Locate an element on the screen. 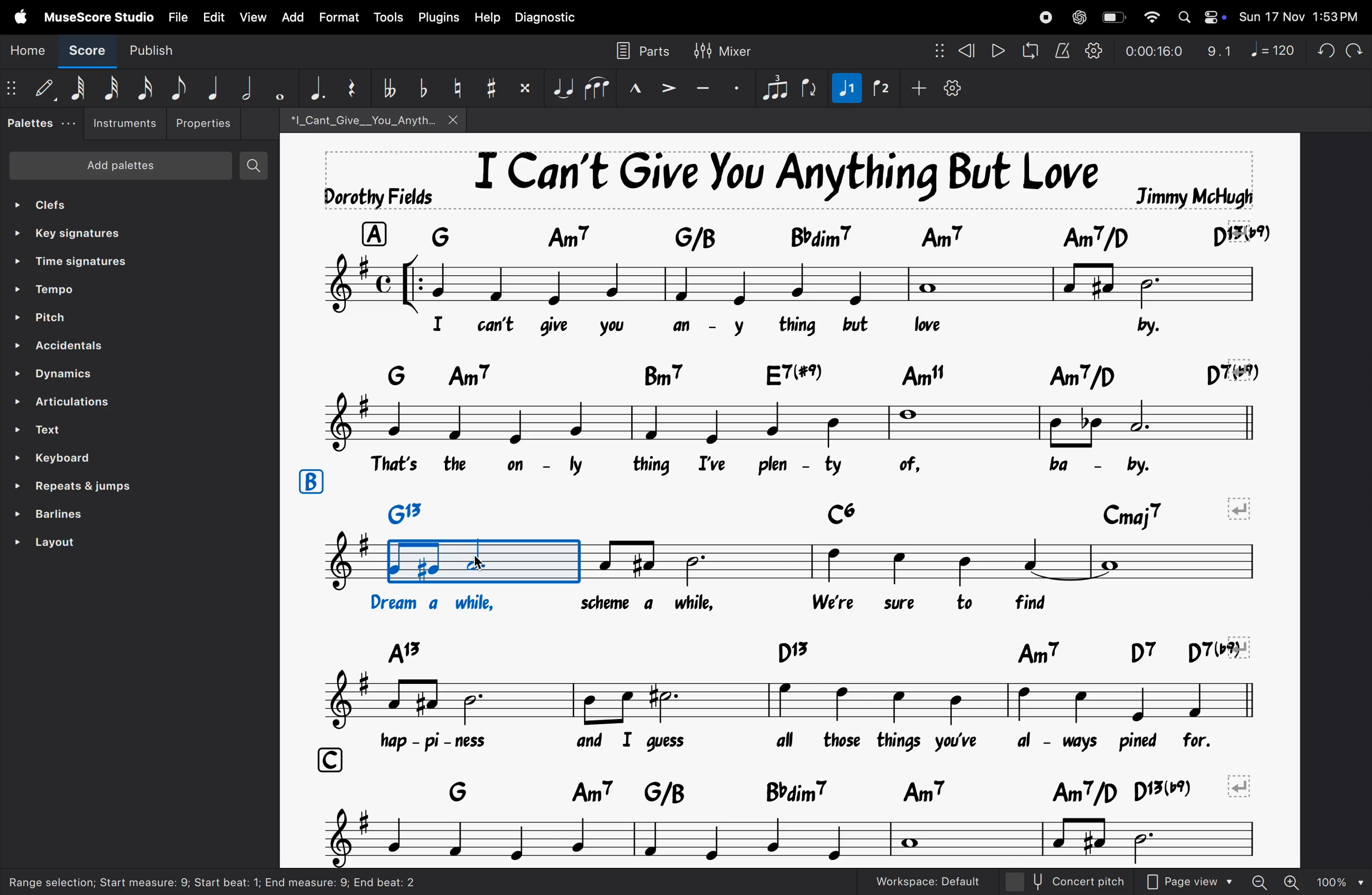 The height and width of the screenshot is (895, 1372). song is located at coordinates (369, 119).